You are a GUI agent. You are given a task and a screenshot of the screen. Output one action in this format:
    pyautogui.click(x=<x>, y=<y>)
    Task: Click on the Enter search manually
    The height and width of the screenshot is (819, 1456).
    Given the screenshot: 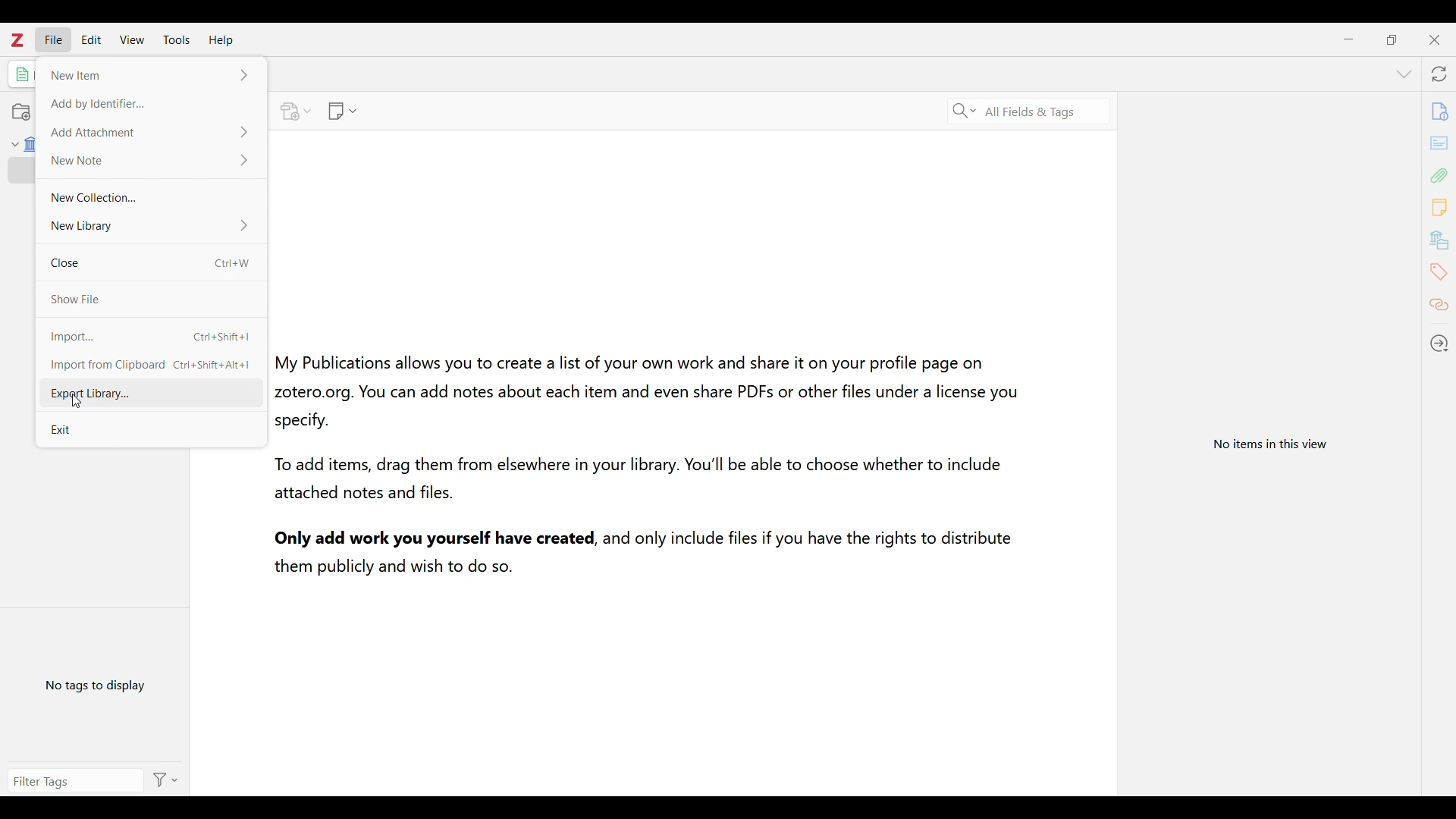 What is the action you would take?
    pyautogui.click(x=72, y=779)
    